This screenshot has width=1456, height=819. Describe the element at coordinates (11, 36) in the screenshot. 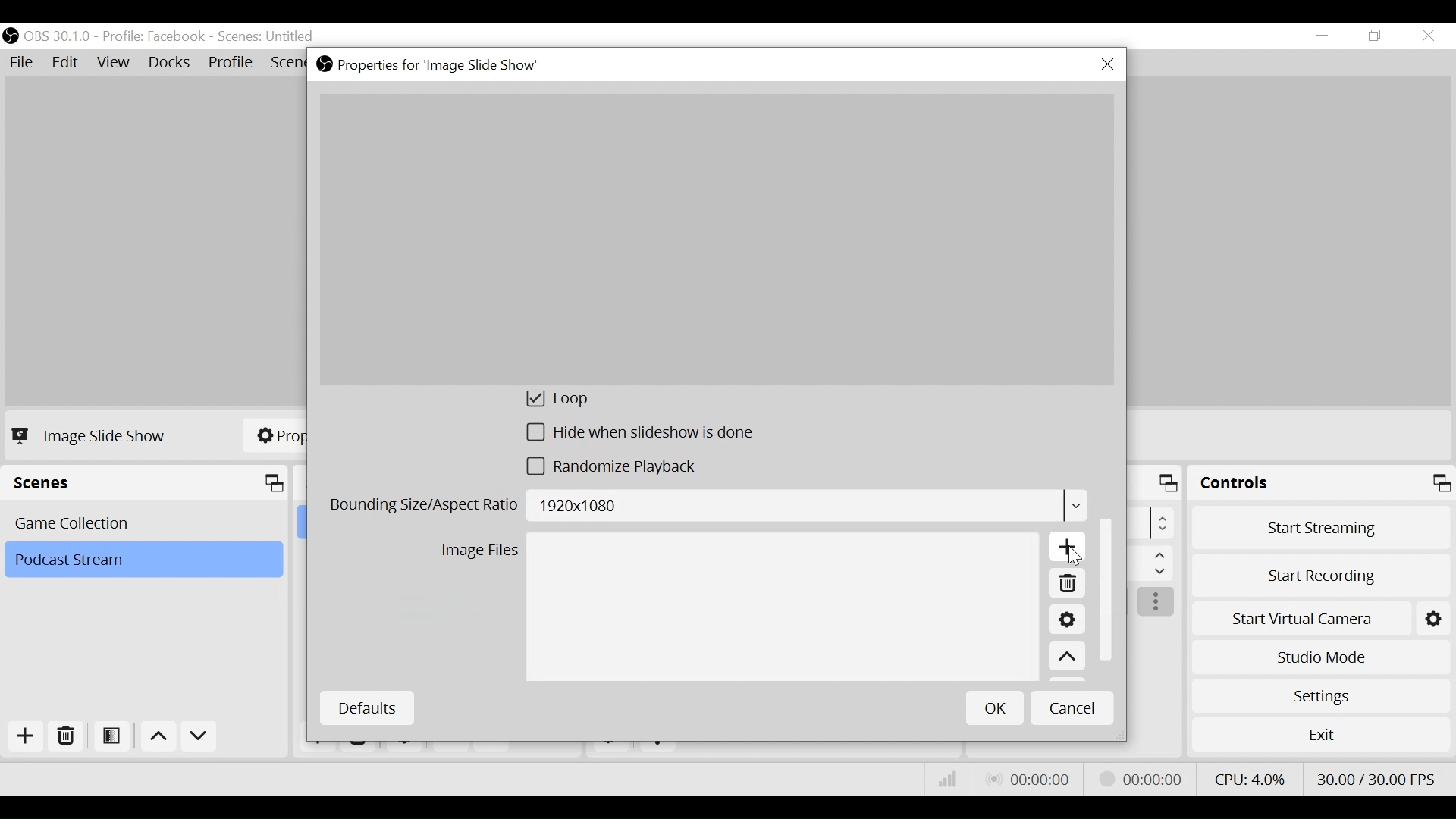

I see `OBS Desktop Icon` at that location.